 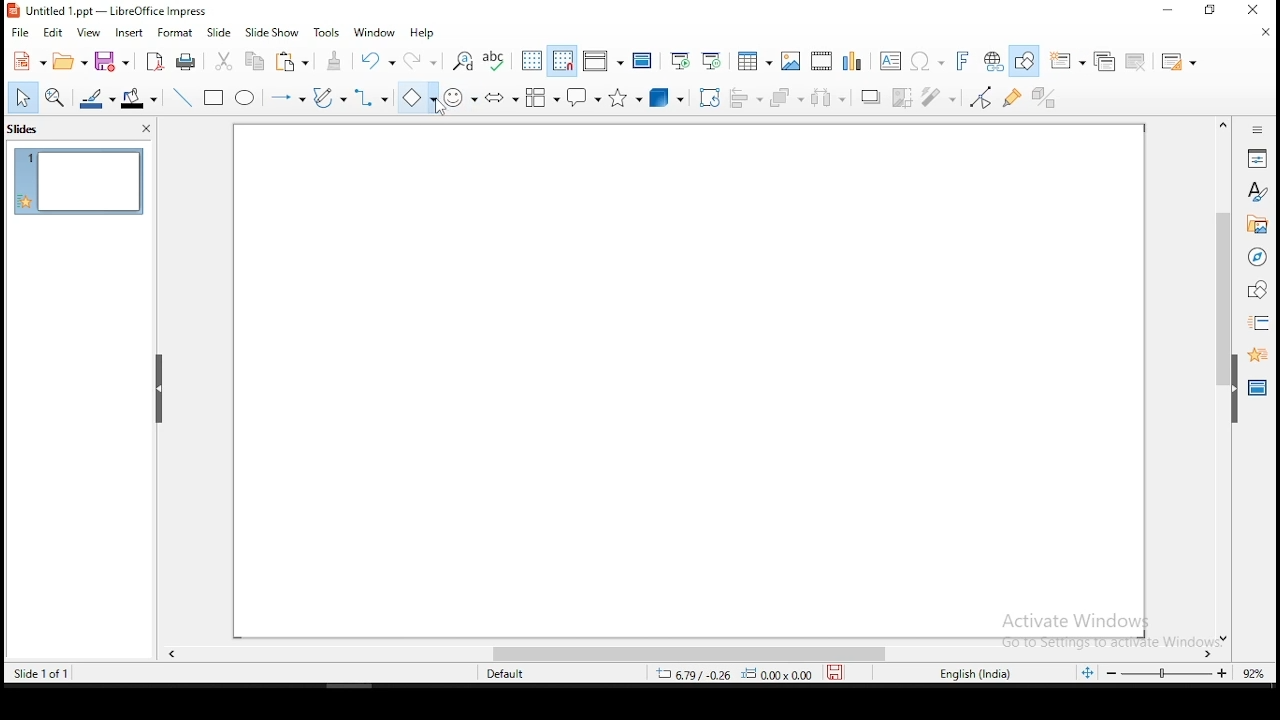 What do you see at coordinates (22, 97) in the screenshot?
I see `select tool` at bounding box center [22, 97].